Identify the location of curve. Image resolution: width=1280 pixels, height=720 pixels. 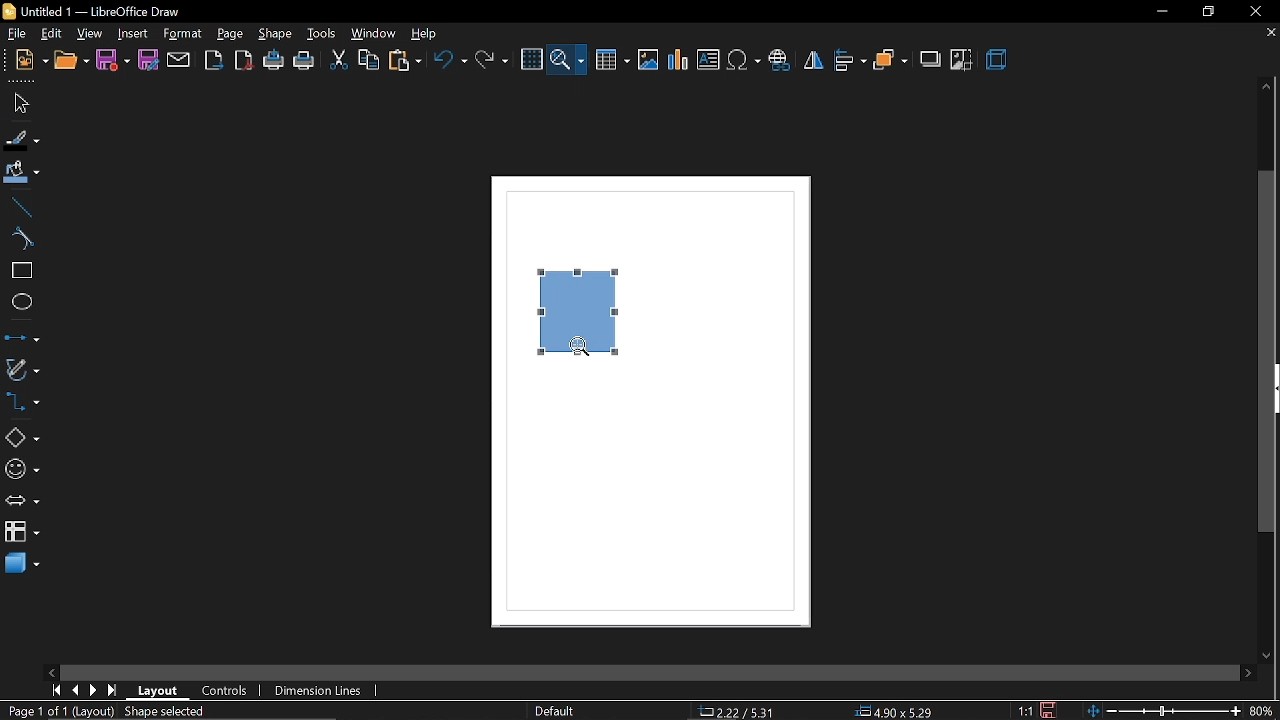
(18, 240).